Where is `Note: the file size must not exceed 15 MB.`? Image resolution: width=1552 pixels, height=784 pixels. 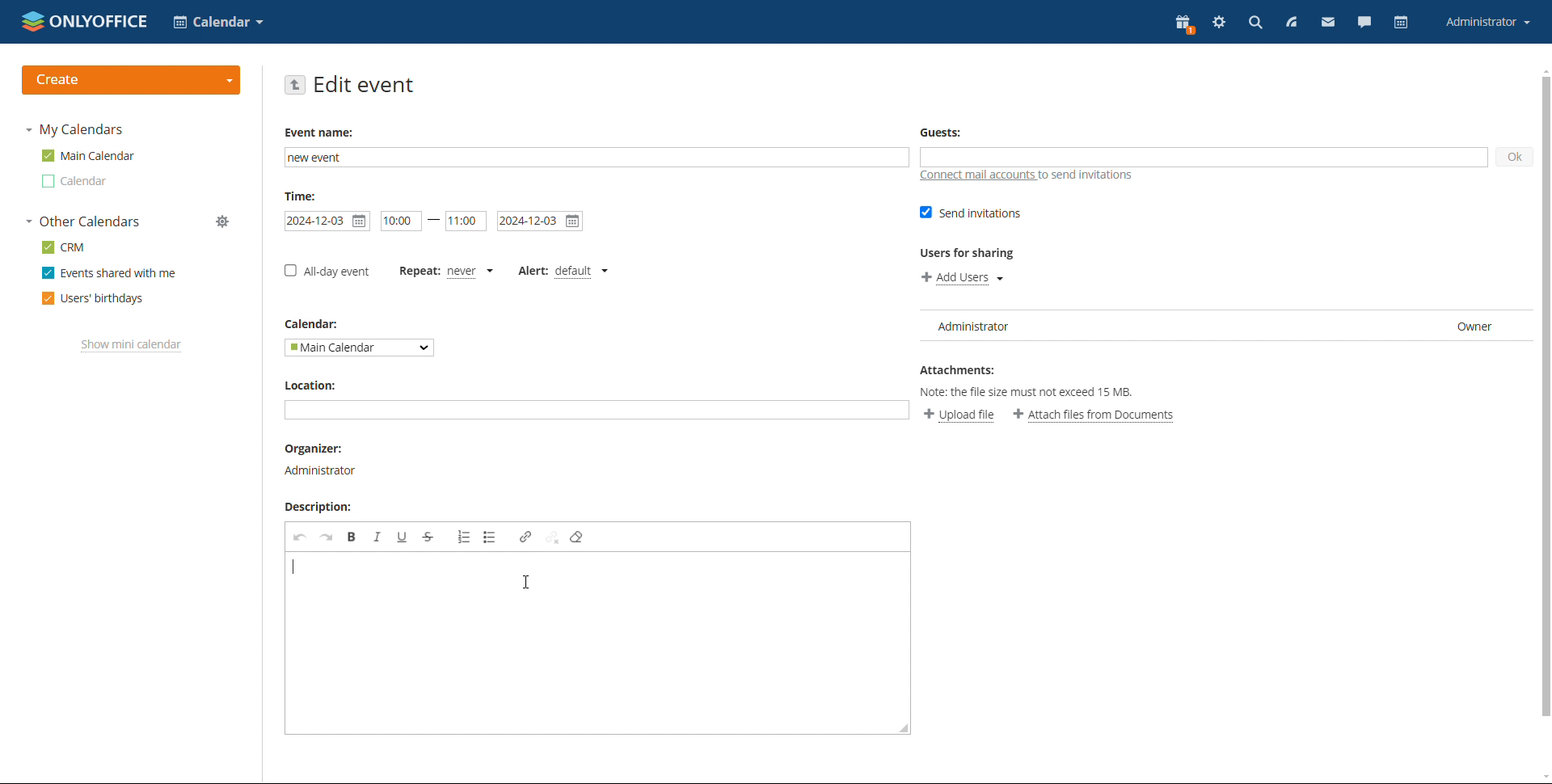
Note: the file size must not exceed 15 MB. is located at coordinates (1040, 392).